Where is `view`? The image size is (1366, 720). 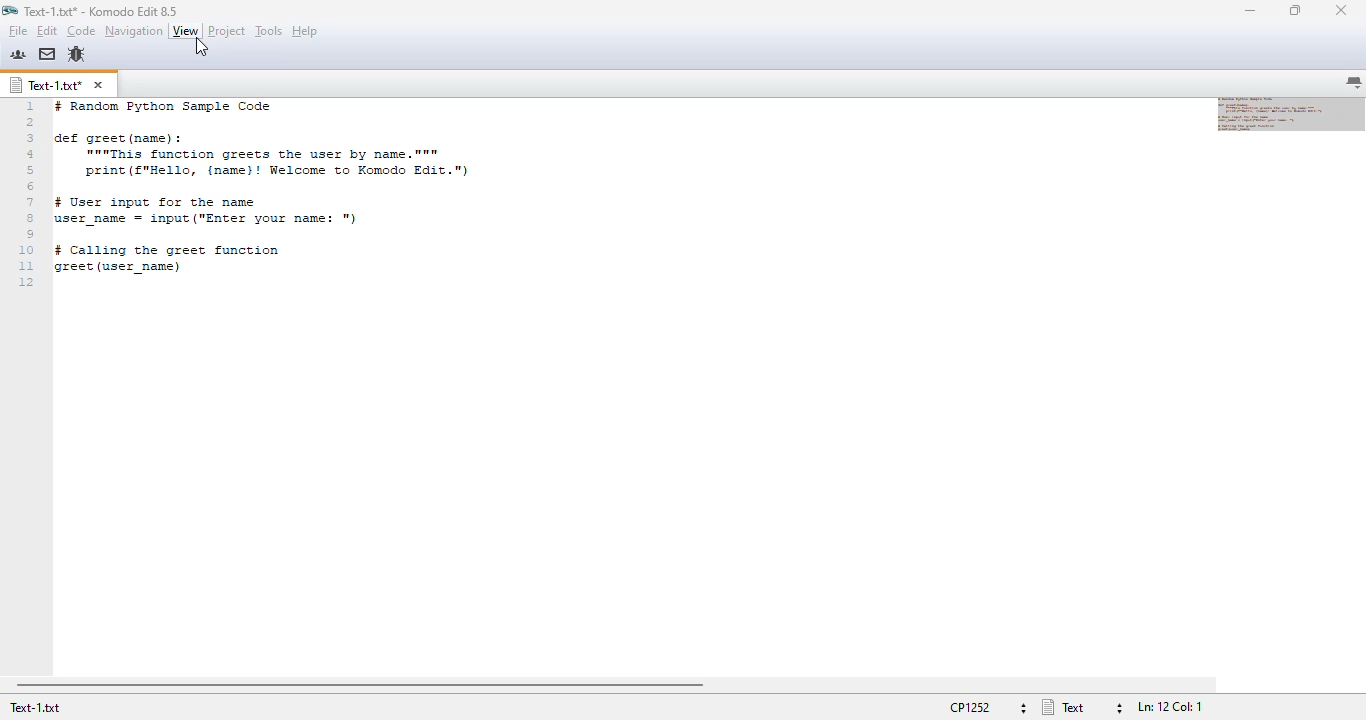
view is located at coordinates (185, 31).